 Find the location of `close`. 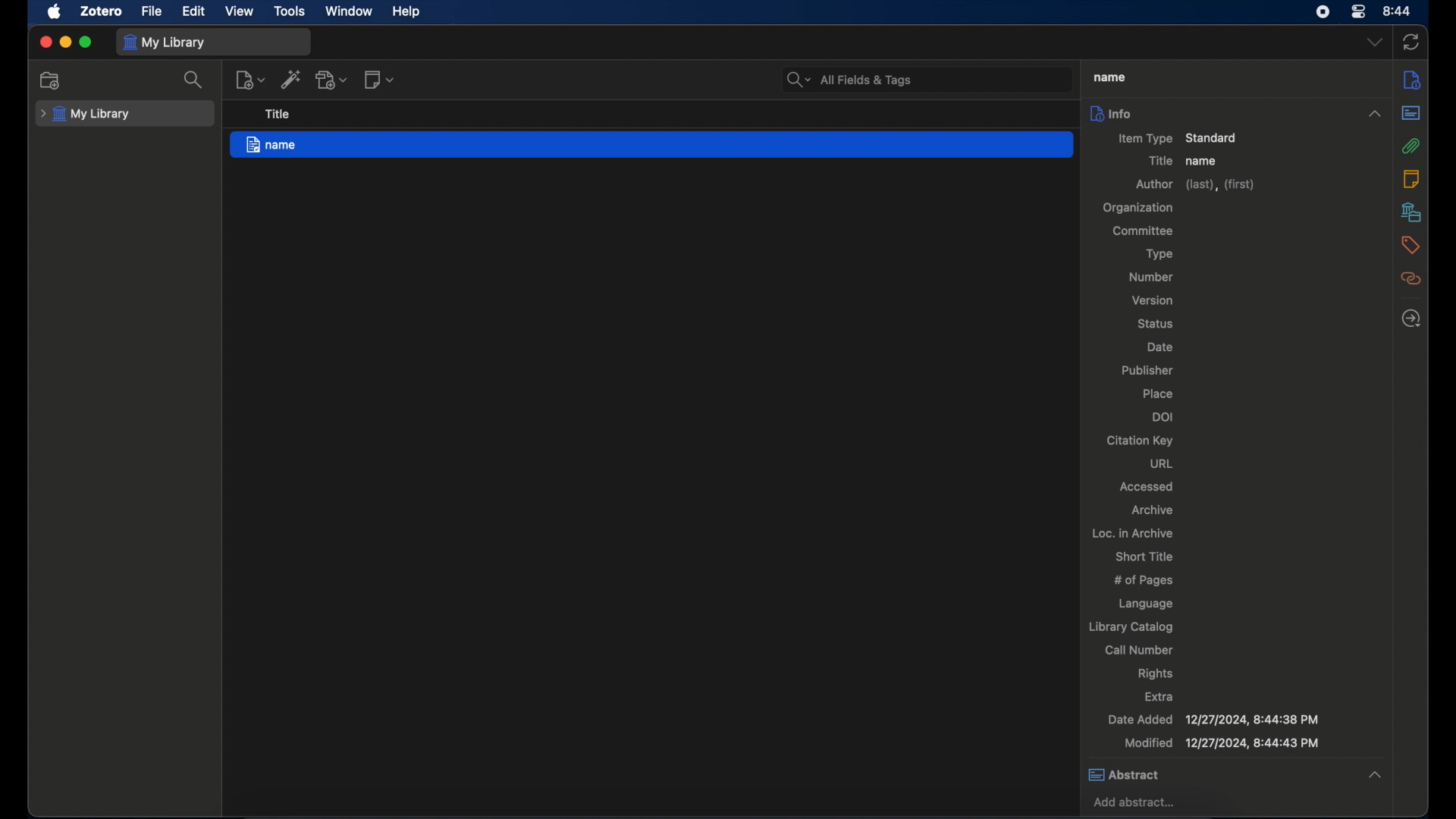

close is located at coordinates (45, 42).